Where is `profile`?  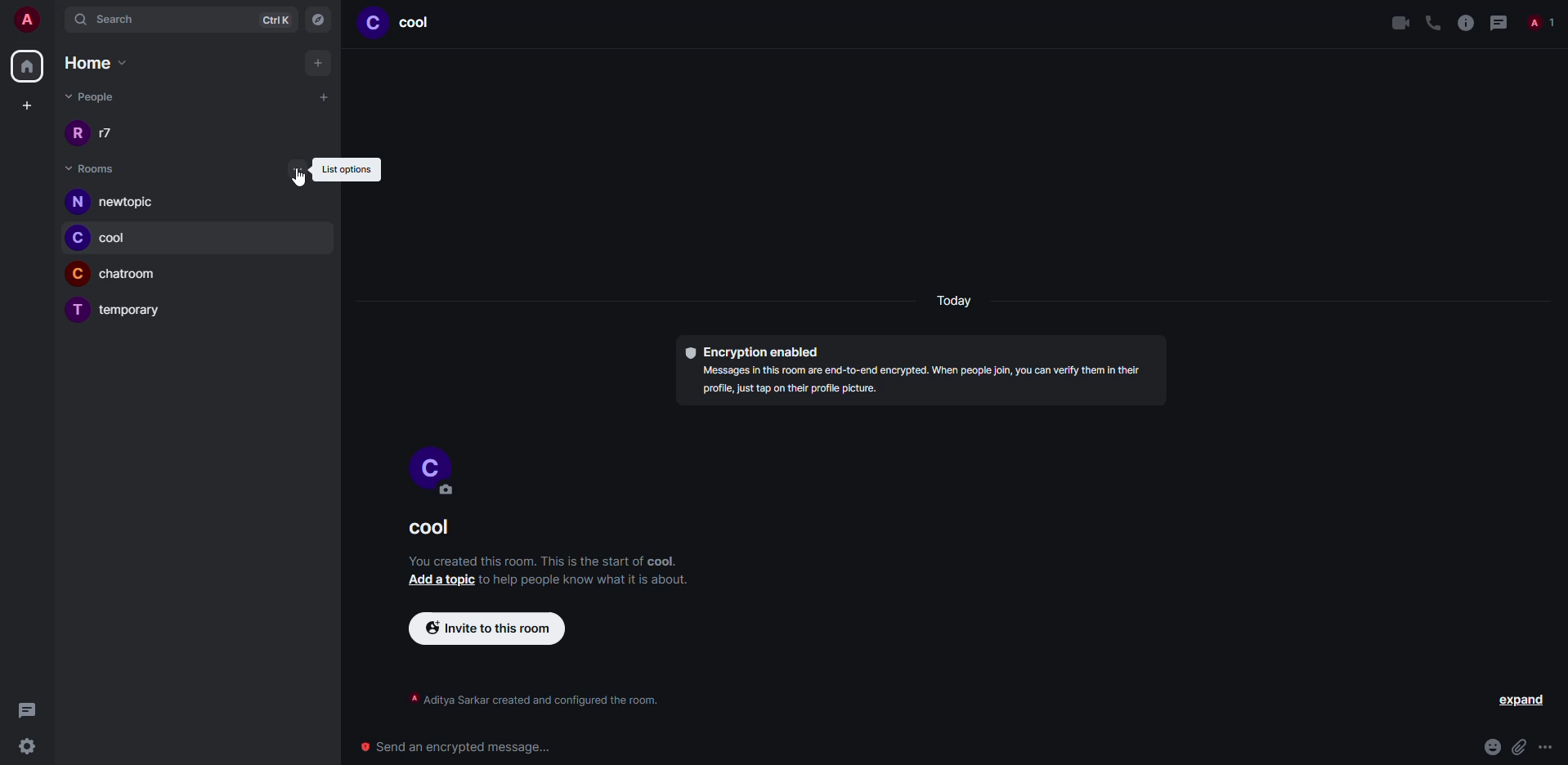 profile is located at coordinates (77, 274).